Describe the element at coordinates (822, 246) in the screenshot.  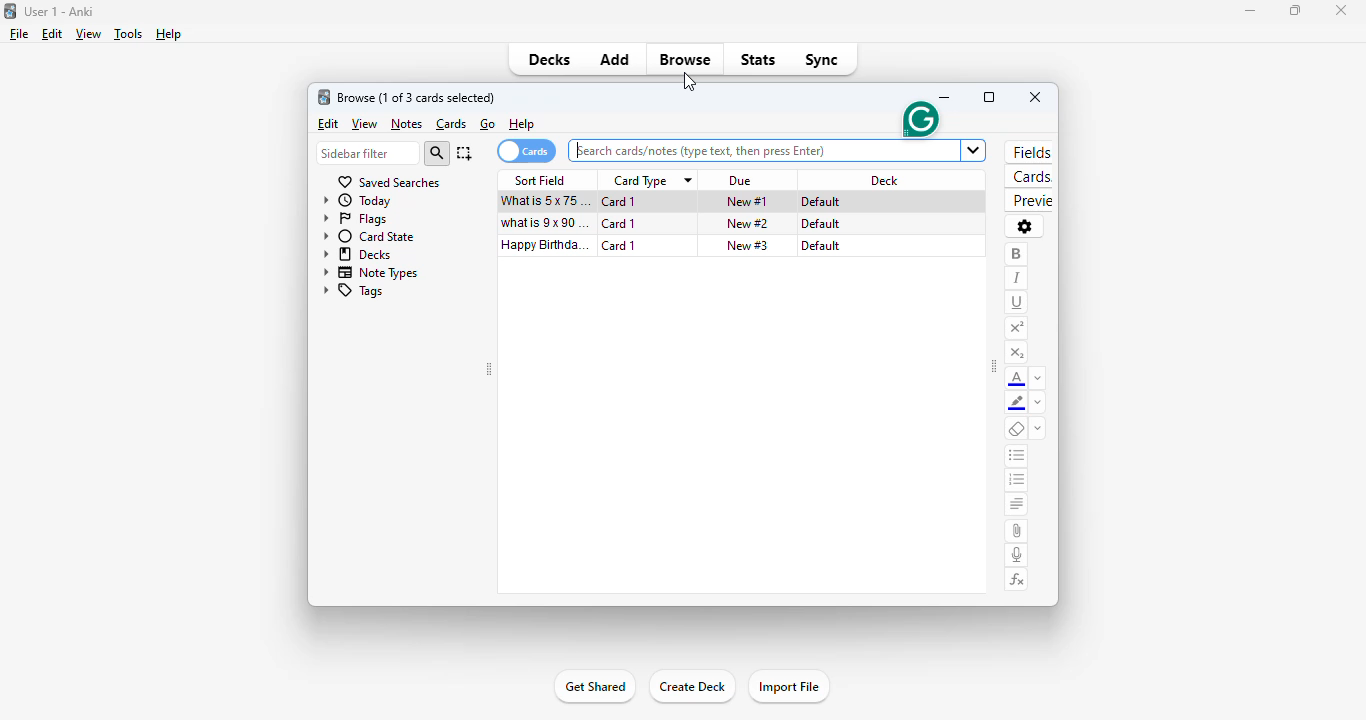
I see `default` at that location.